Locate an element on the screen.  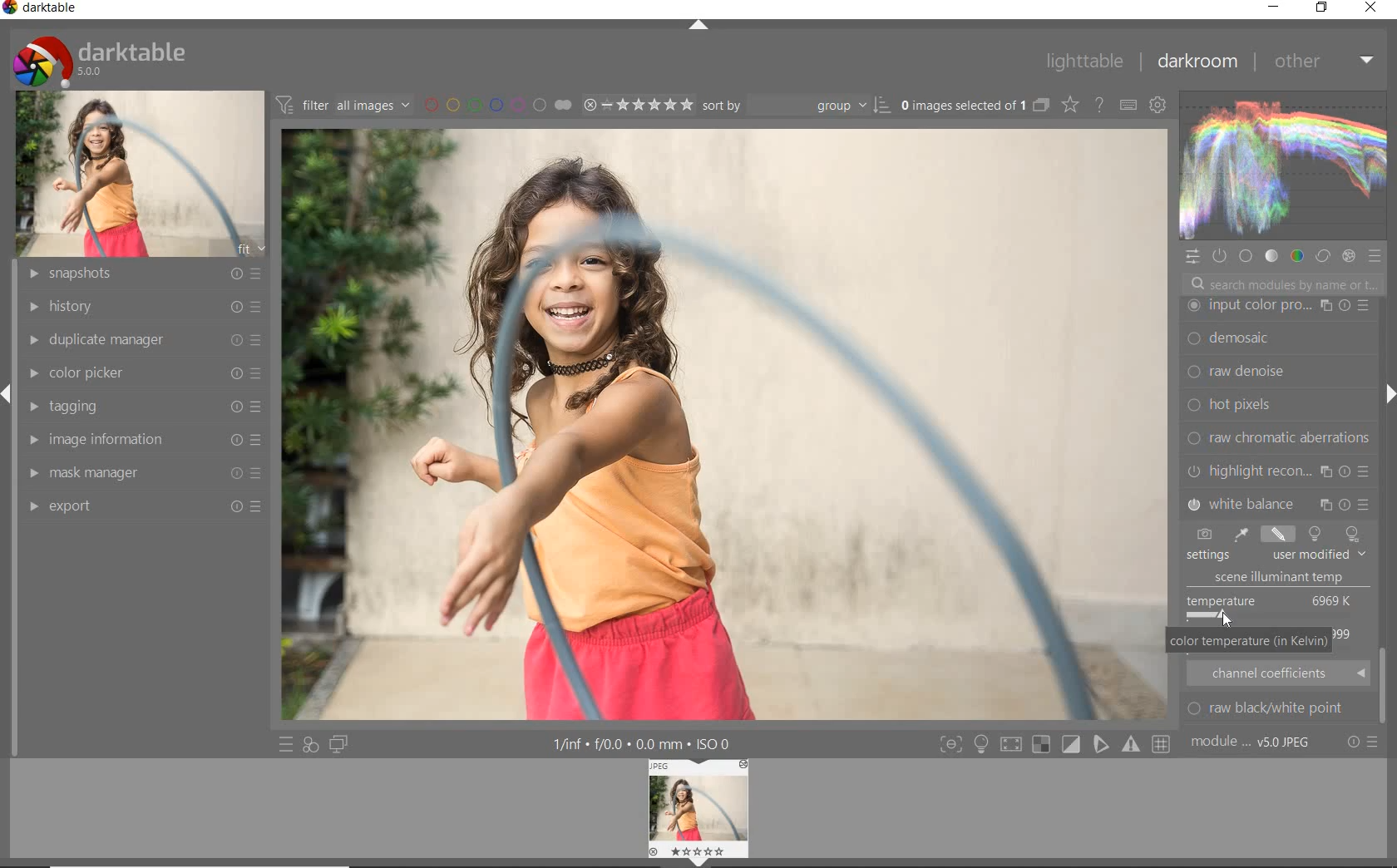
restore is located at coordinates (1321, 7).